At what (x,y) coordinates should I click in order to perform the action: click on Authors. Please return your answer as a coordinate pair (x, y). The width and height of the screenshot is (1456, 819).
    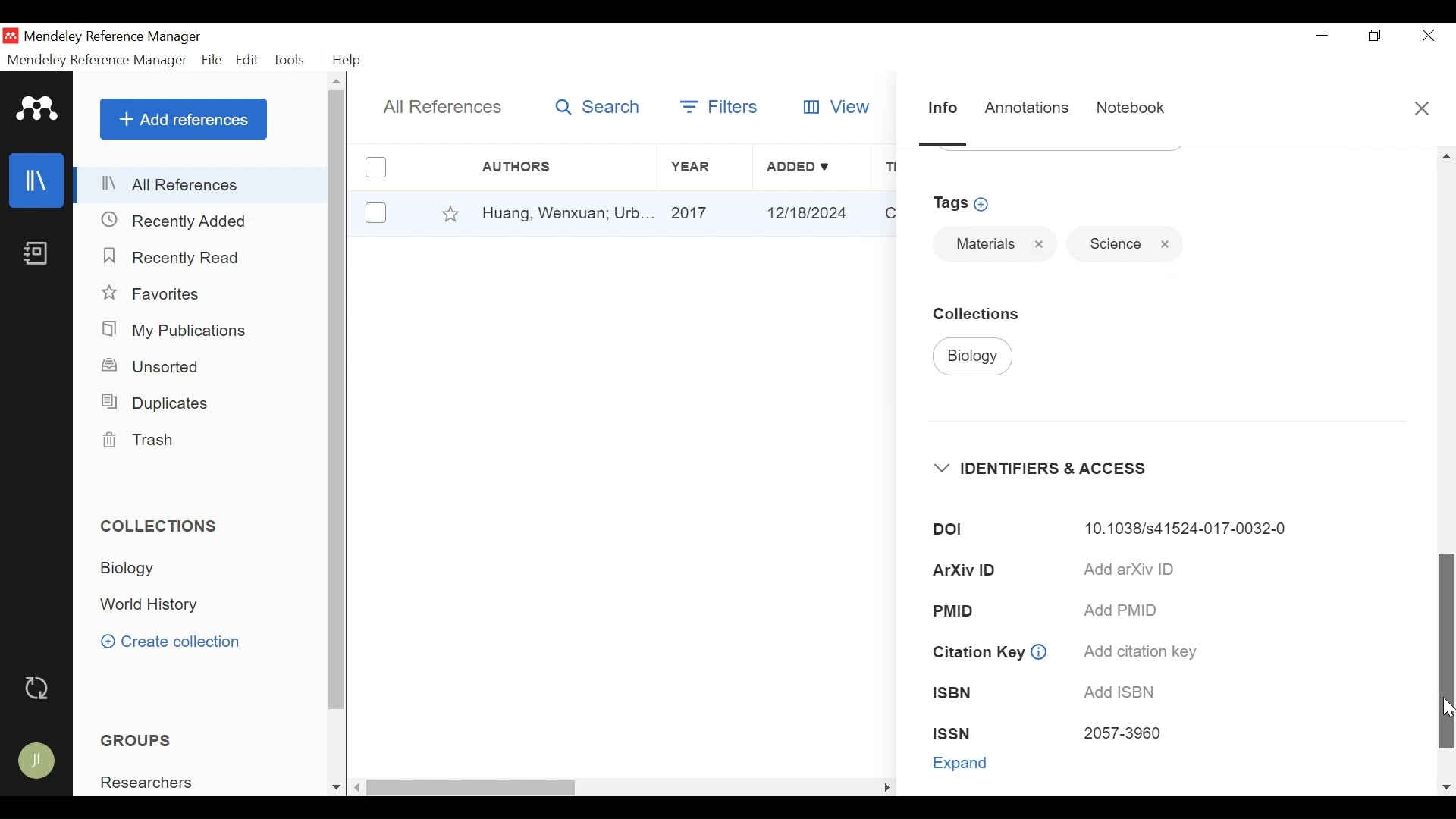
    Looking at the image, I should click on (532, 167).